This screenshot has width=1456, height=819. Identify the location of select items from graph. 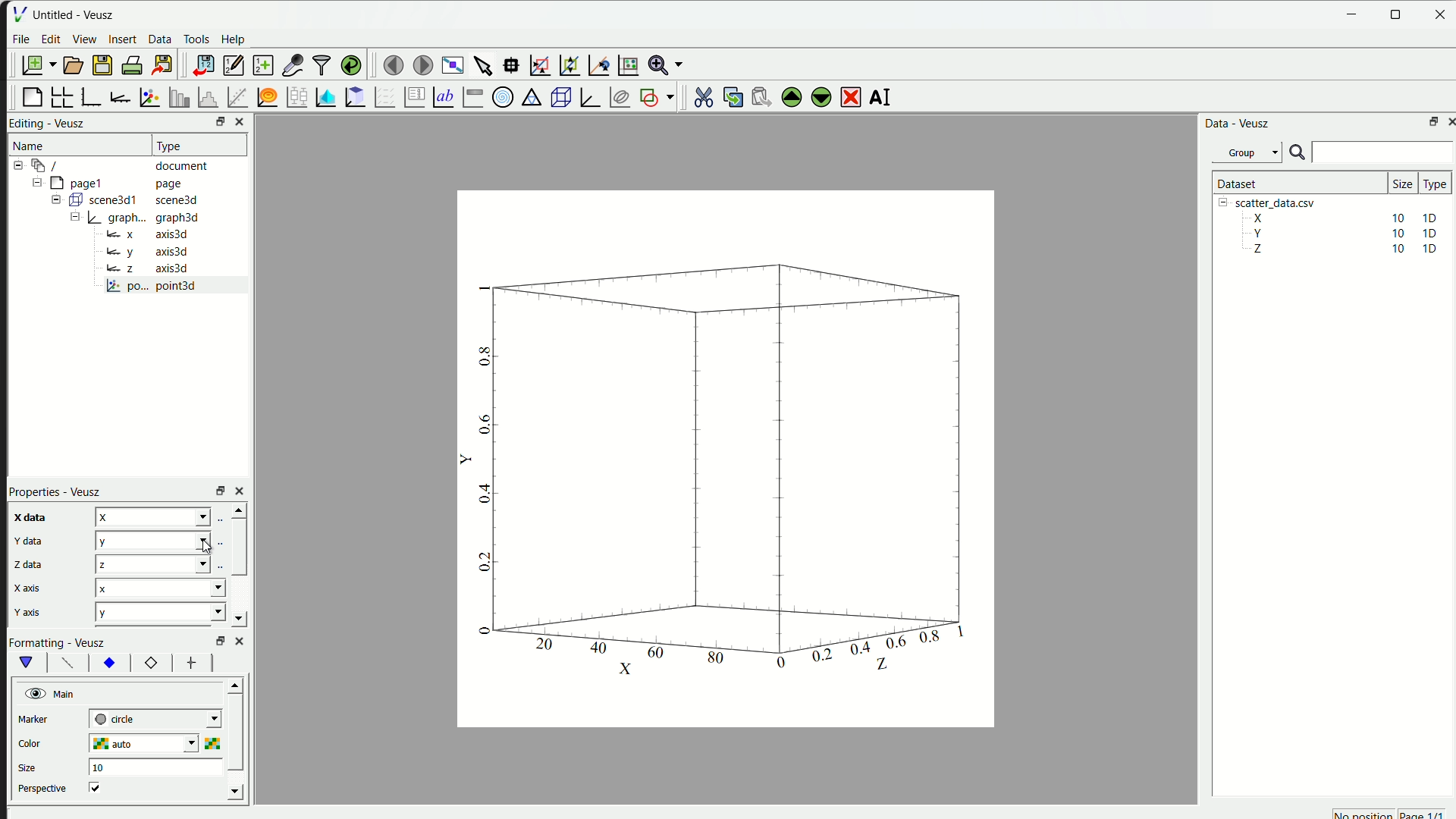
(482, 63).